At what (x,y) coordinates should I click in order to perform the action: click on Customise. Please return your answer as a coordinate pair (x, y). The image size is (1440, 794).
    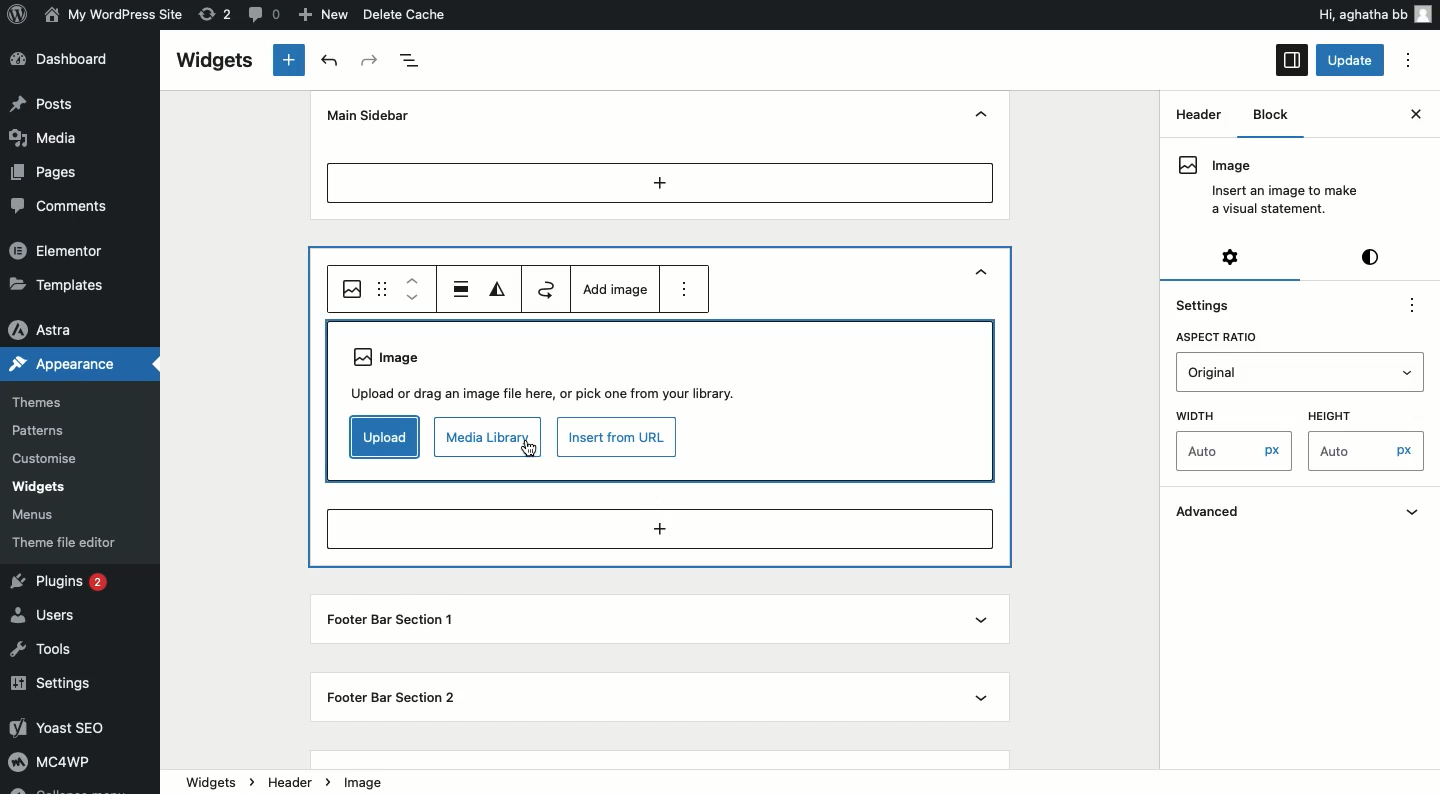
    Looking at the image, I should click on (42, 461).